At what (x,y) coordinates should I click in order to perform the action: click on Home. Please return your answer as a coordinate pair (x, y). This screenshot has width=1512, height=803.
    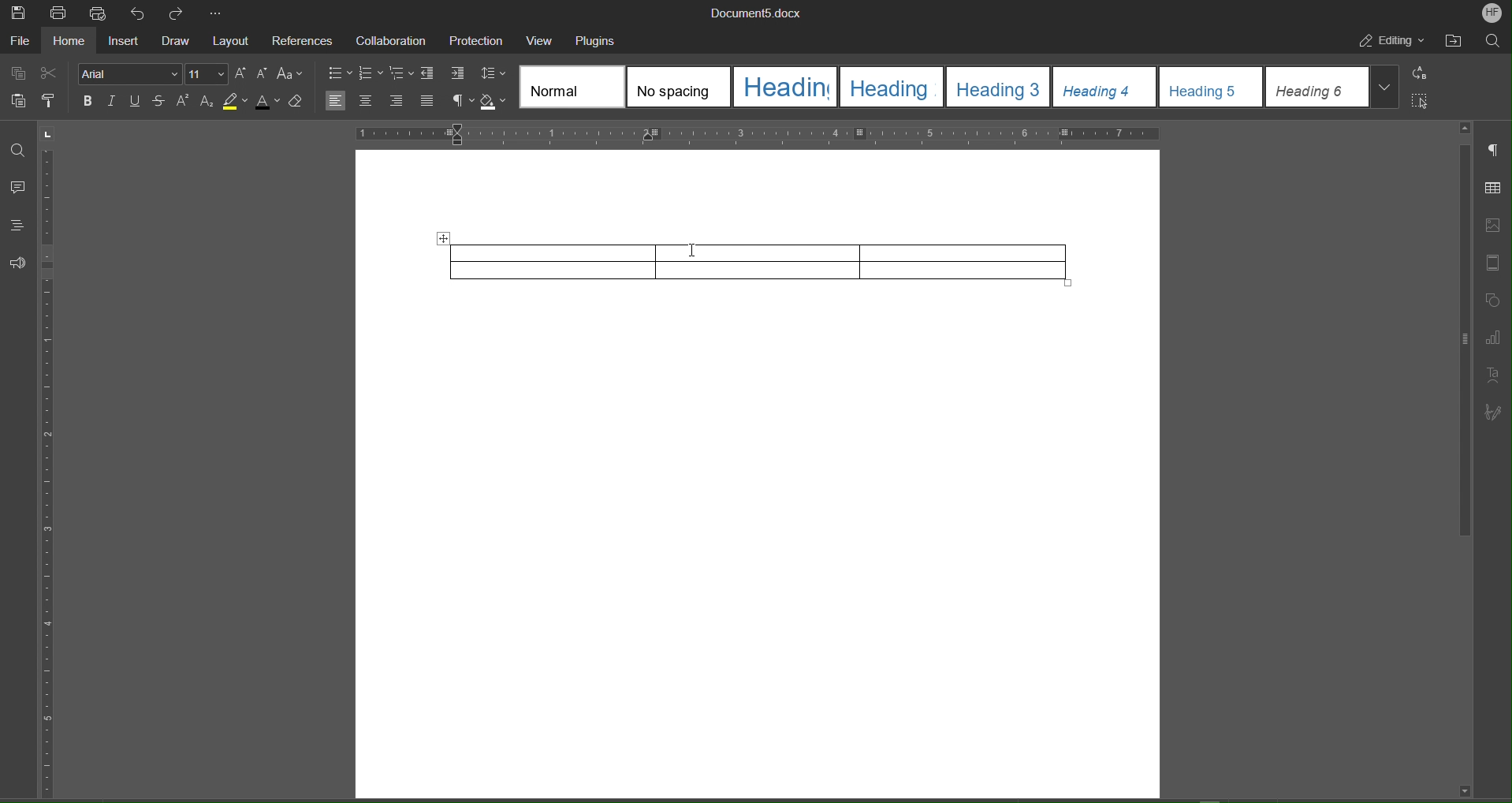
    Looking at the image, I should click on (73, 43).